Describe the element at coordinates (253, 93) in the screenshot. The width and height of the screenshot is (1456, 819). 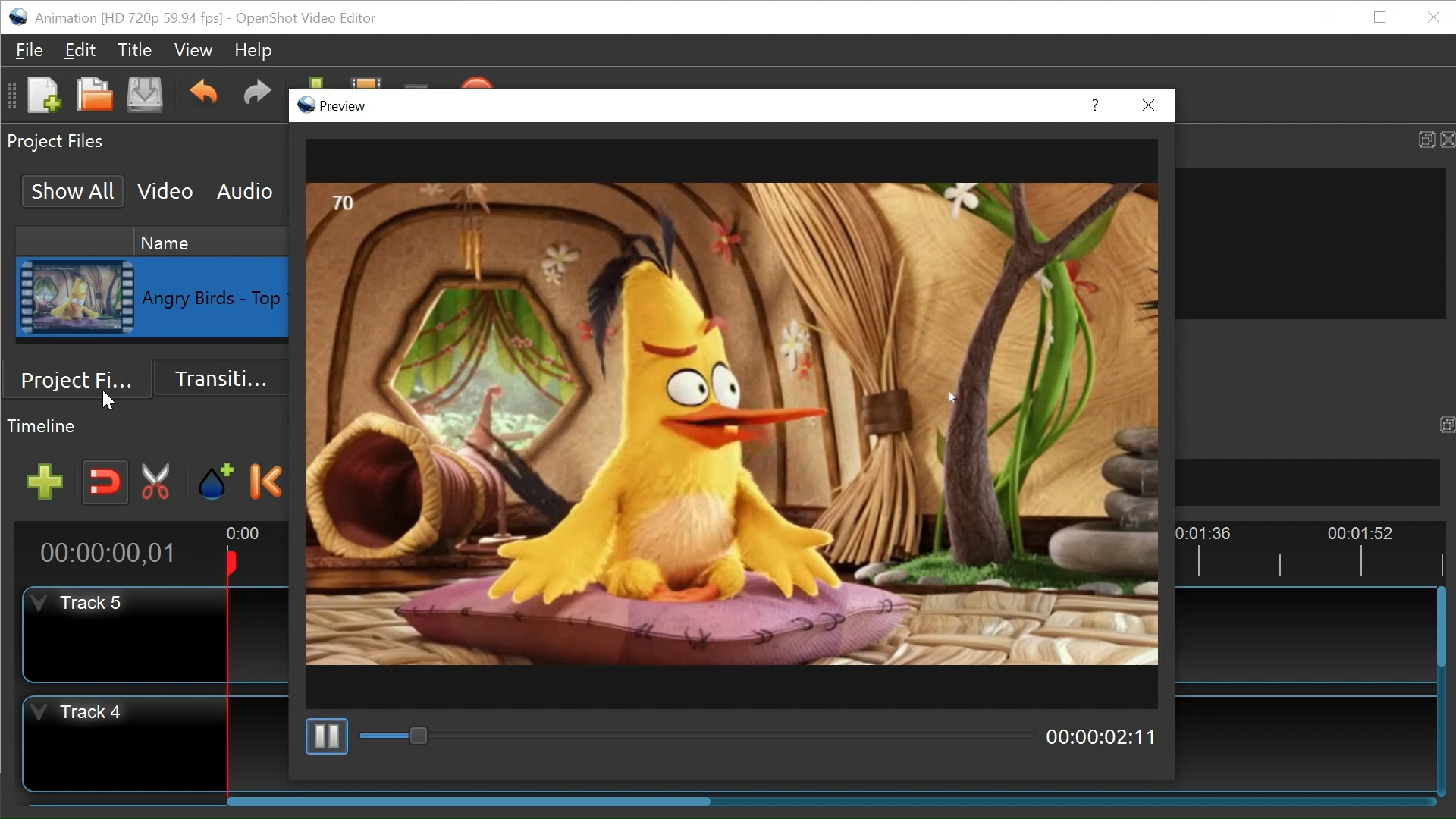
I see `Redo` at that location.